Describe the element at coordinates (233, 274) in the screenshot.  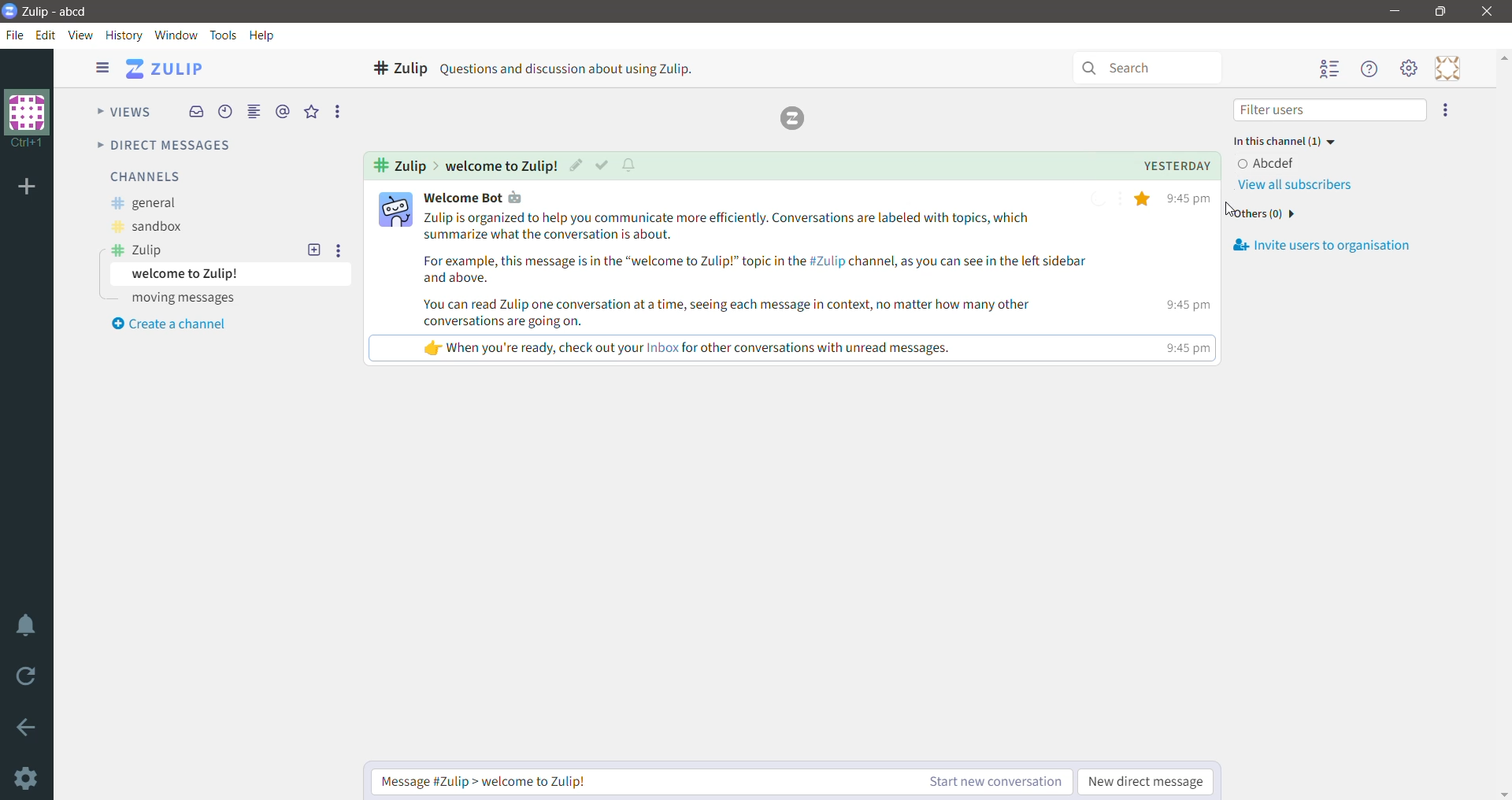
I see `welcome to Zulip` at that location.